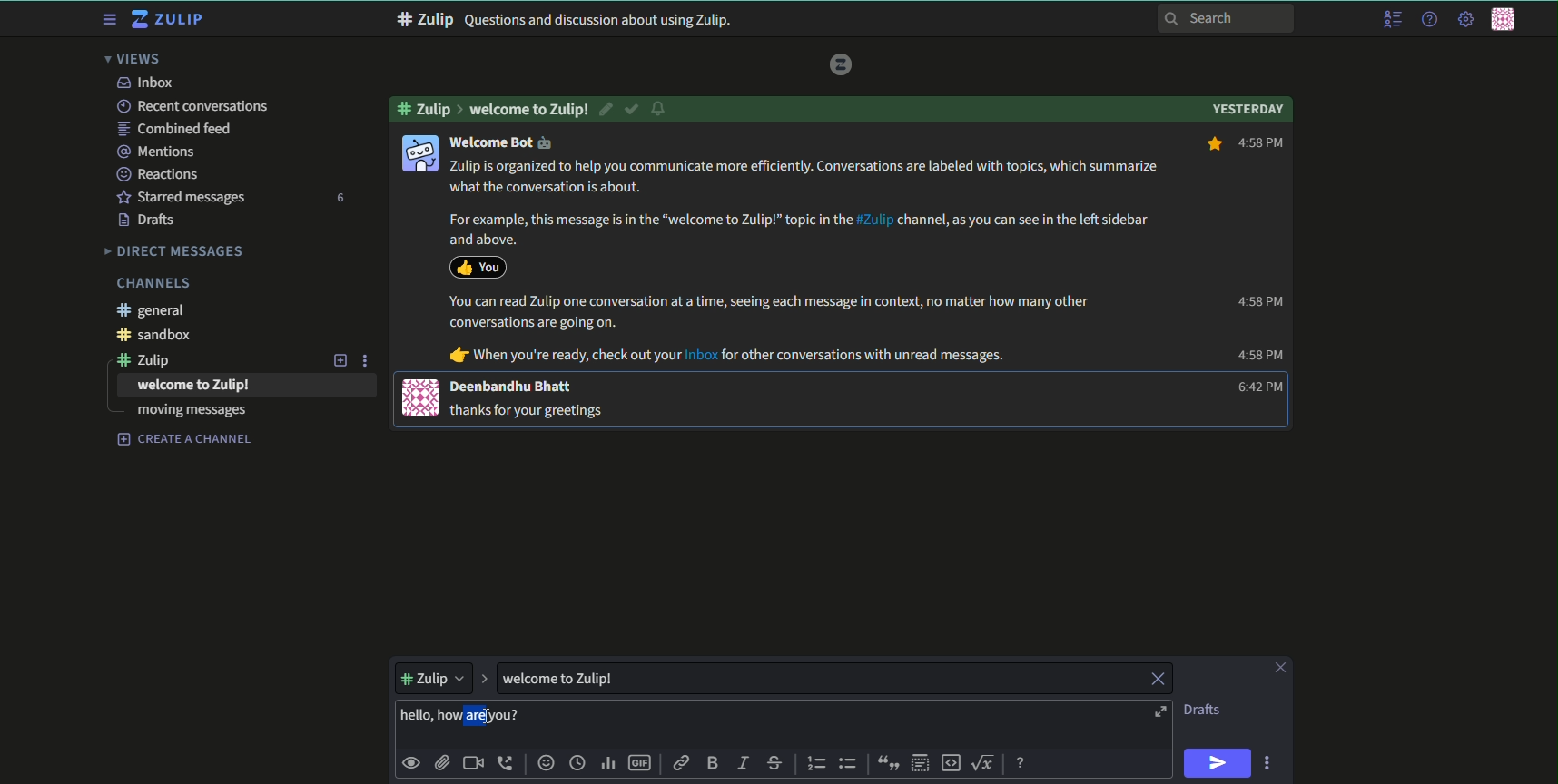 The image size is (1558, 784). What do you see at coordinates (1227, 17) in the screenshot?
I see `search bar` at bounding box center [1227, 17].